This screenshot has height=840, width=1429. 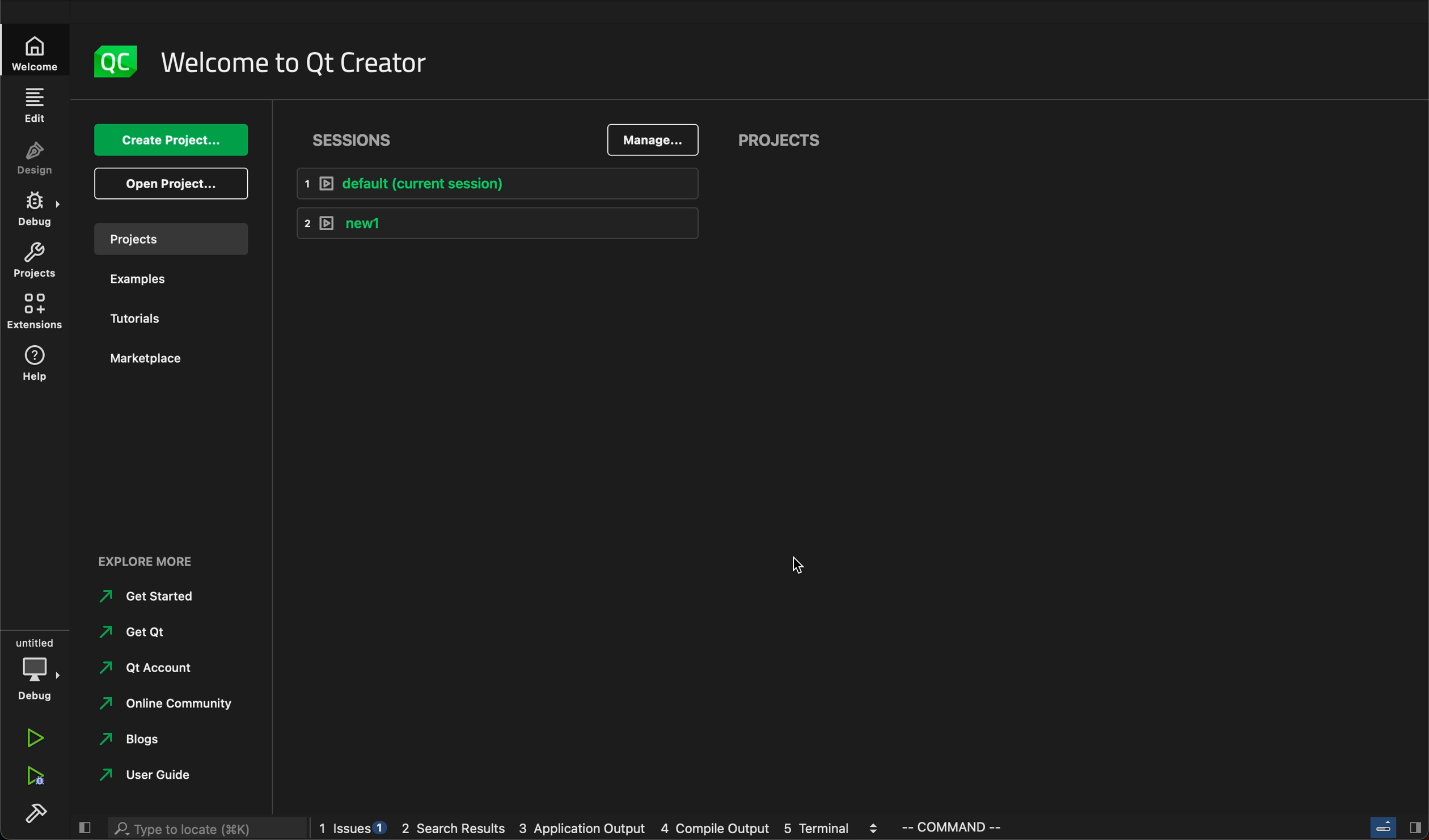 I want to click on explore, so click(x=150, y=561).